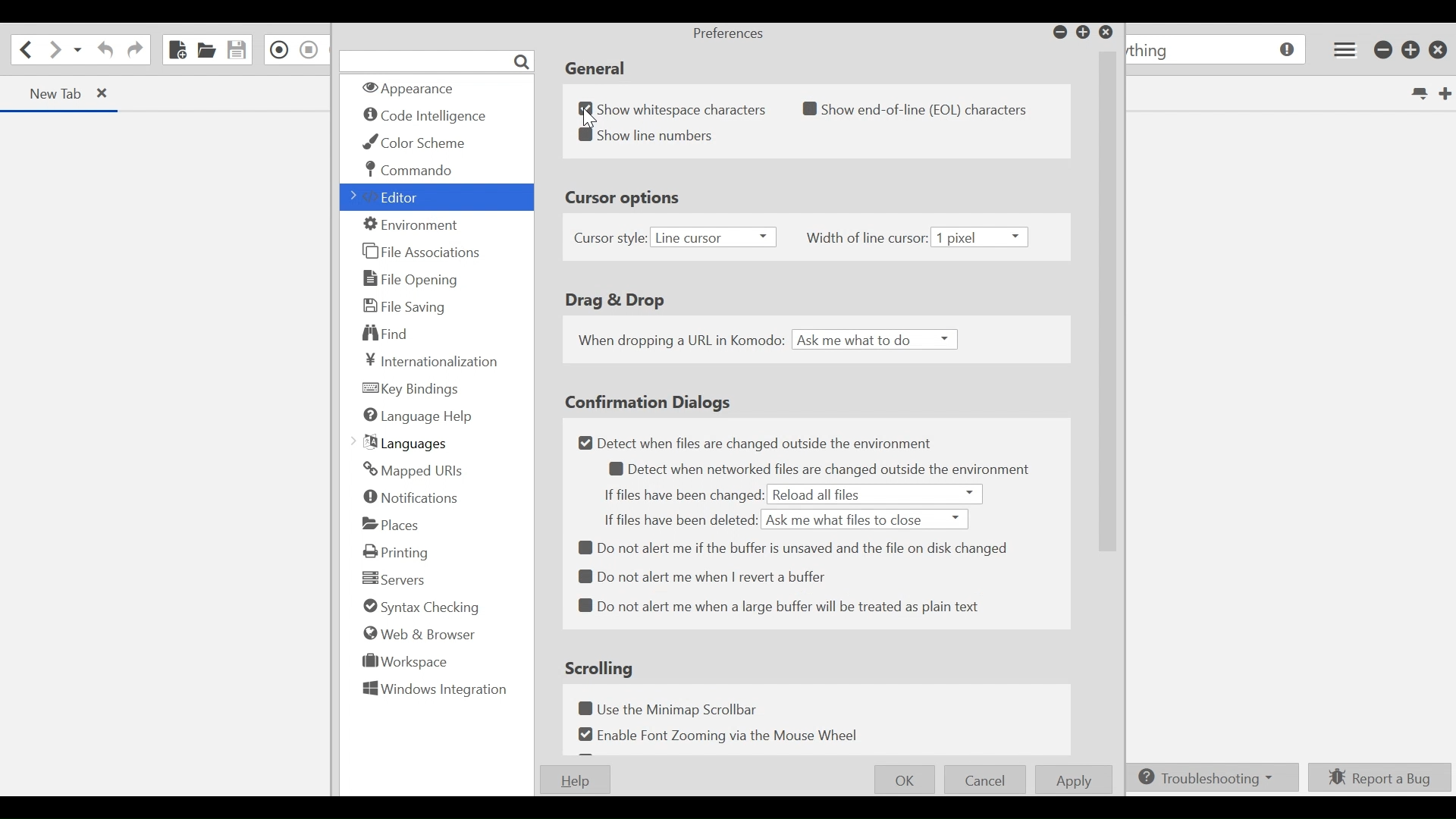 The height and width of the screenshot is (819, 1456). What do you see at coordinates (402, 444) in the screenshot?
I see `Languages` at bounding box center [402, 444].